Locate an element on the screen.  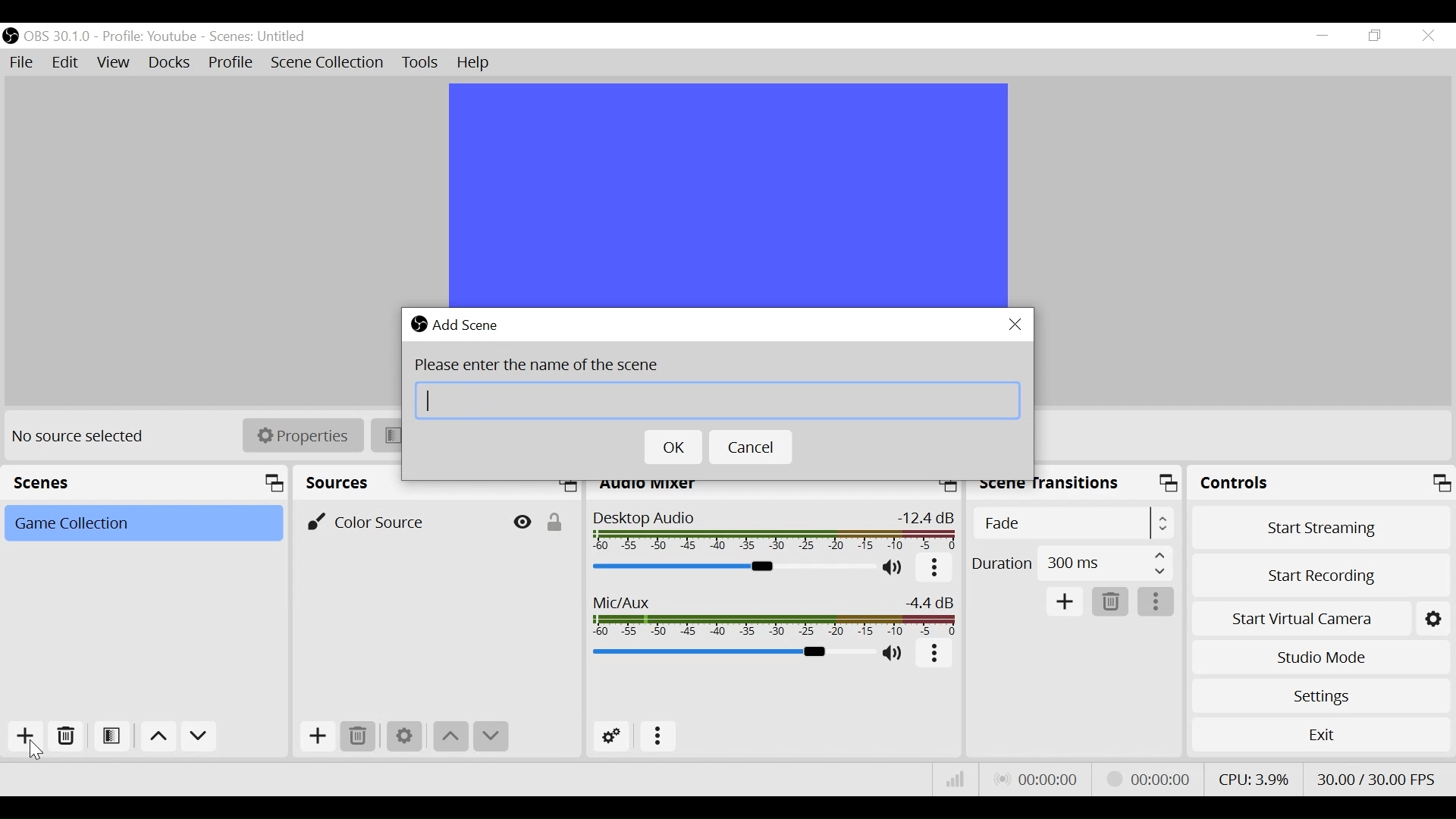
Desktop Audio is located at coordinates (775, 532).